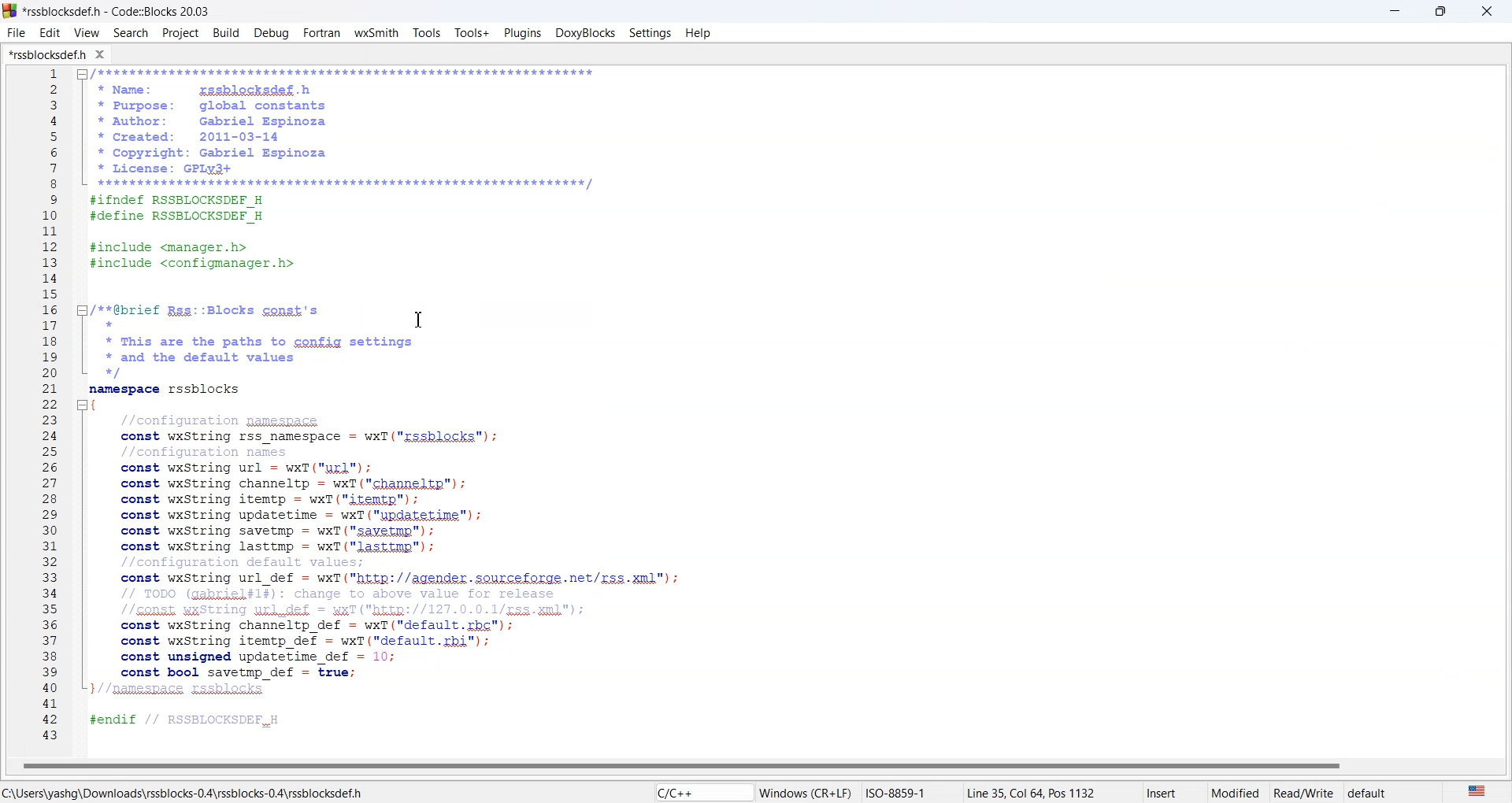  I want to click on View, so click(87, 33).